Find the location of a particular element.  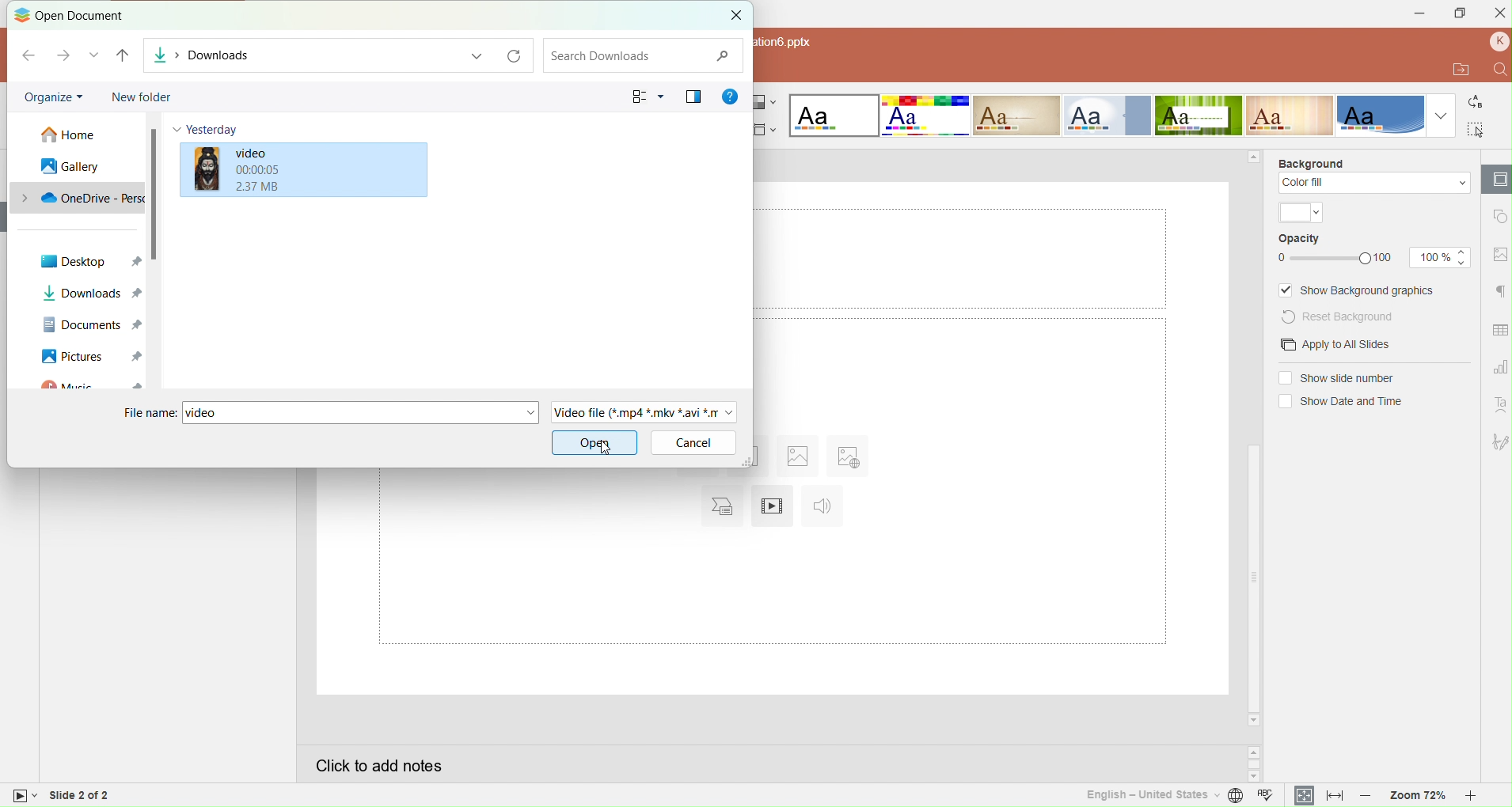

Open is located at coordinates (595, 443).